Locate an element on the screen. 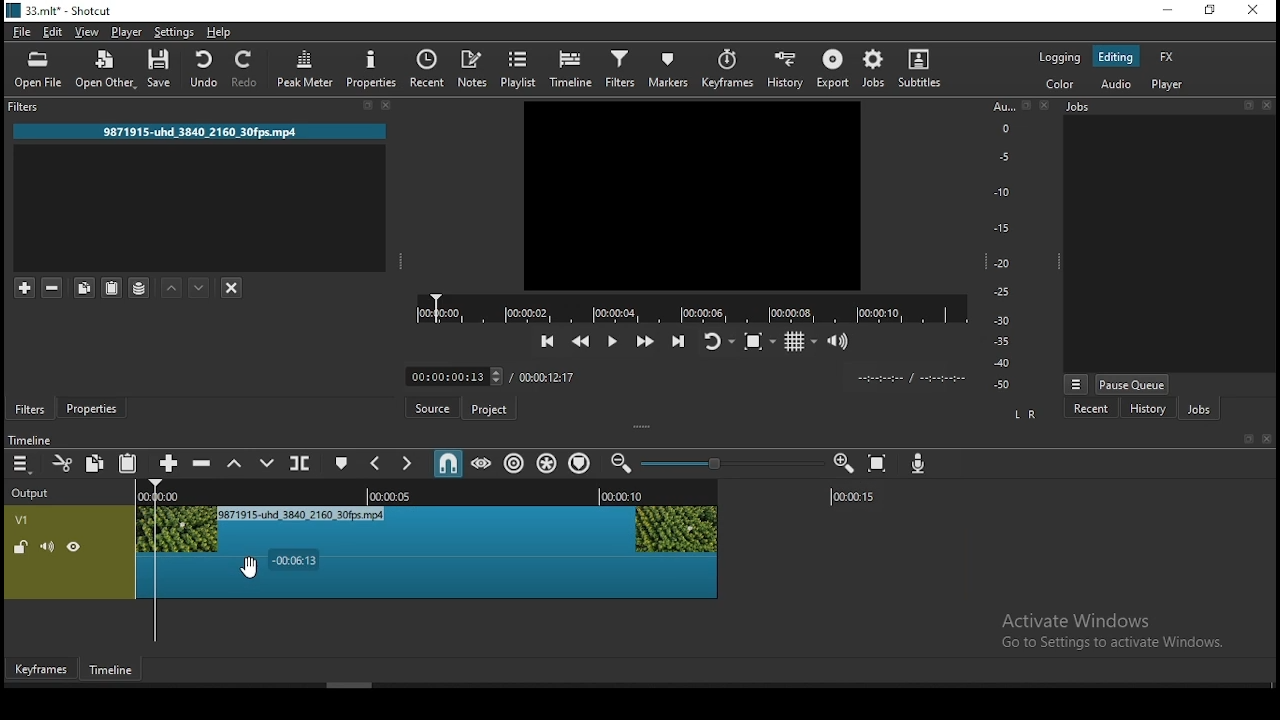 This screenshot has height=720, width=1280. split at playhead is located at coordinates (431, 67).